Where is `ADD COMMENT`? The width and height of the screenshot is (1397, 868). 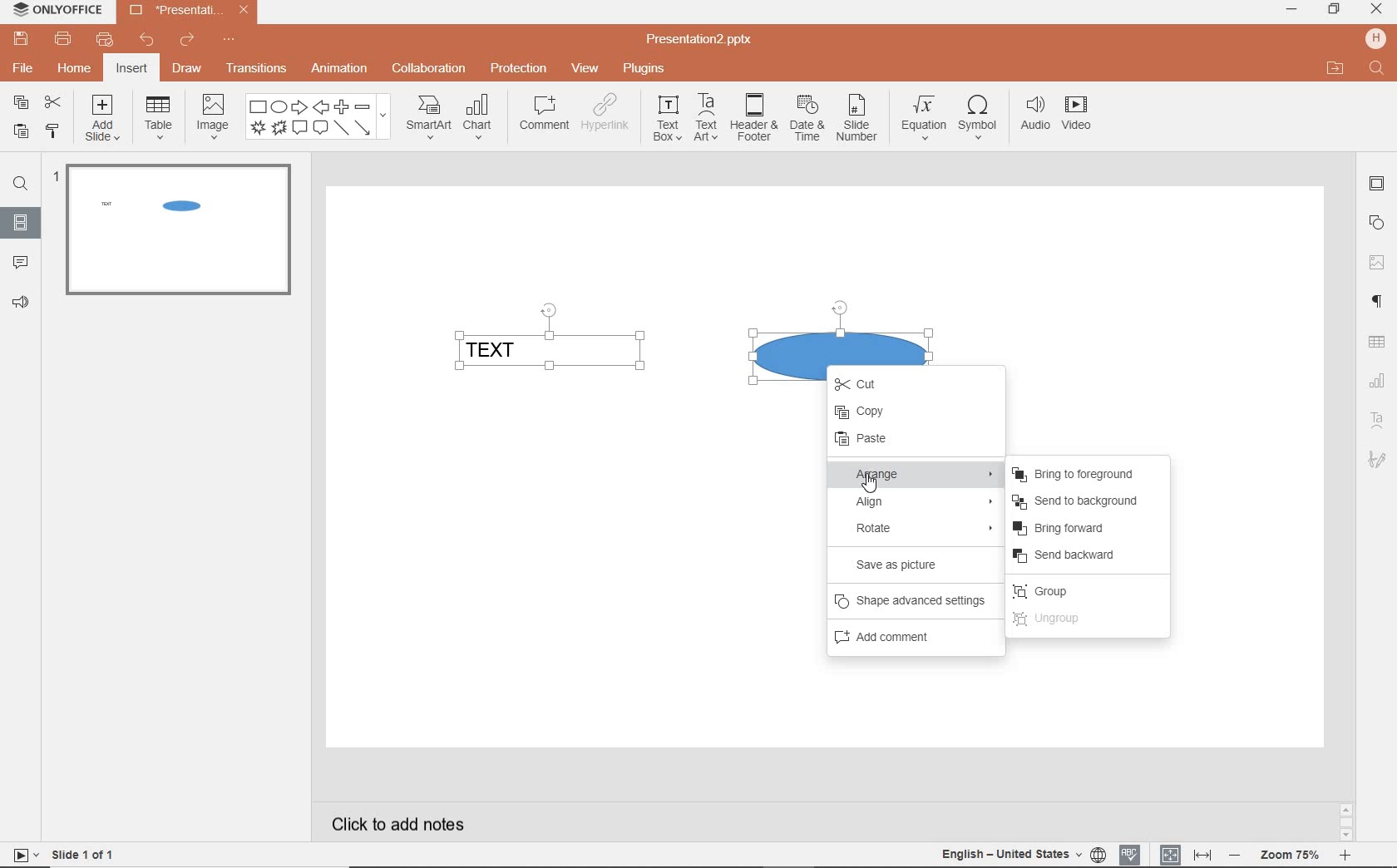 ADD COMMENT is located at coordinates (911, 637).